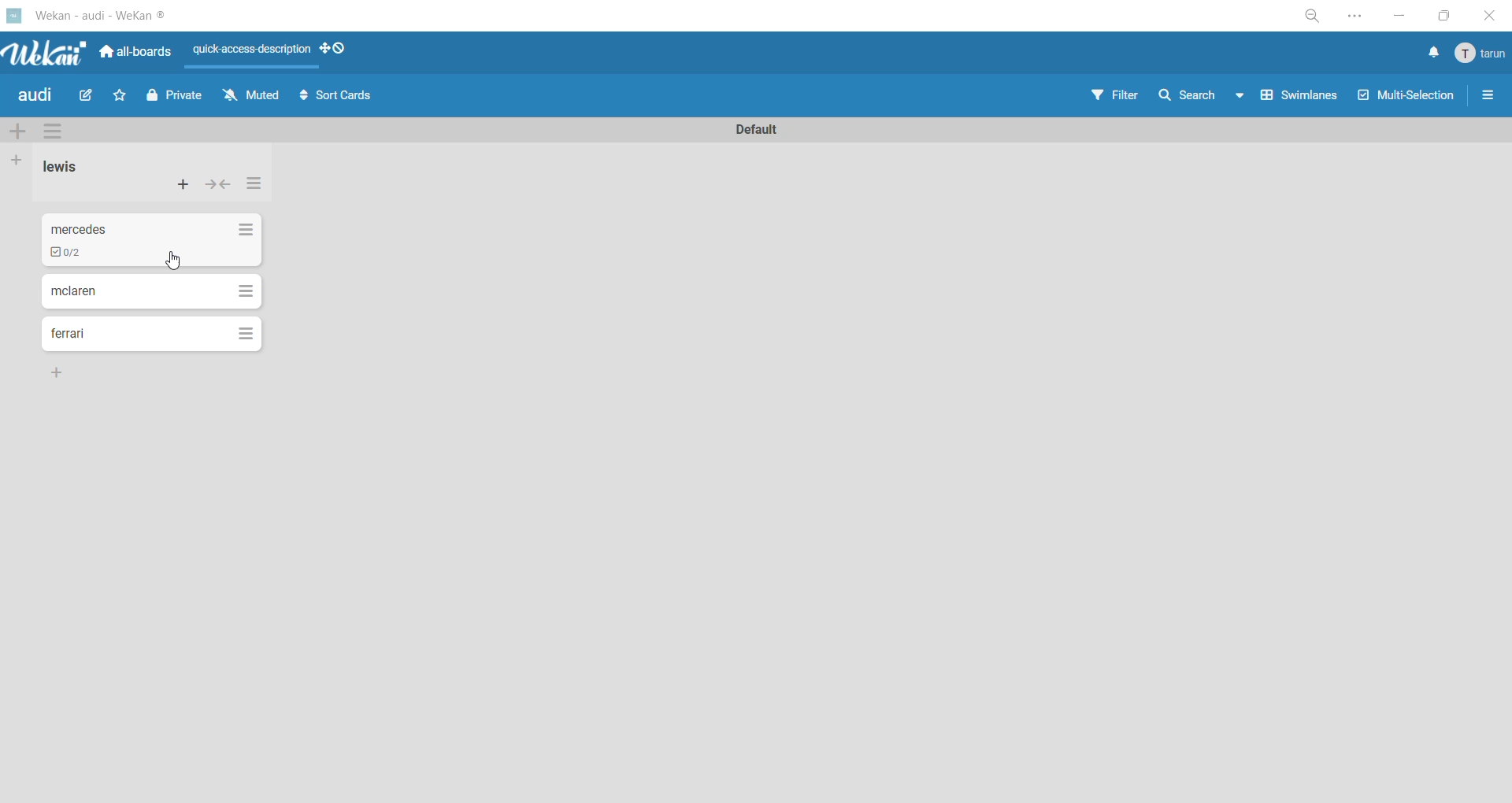  Describe the element at coordinates (260, 185) in the screenshot. I see `list actions` at that location.